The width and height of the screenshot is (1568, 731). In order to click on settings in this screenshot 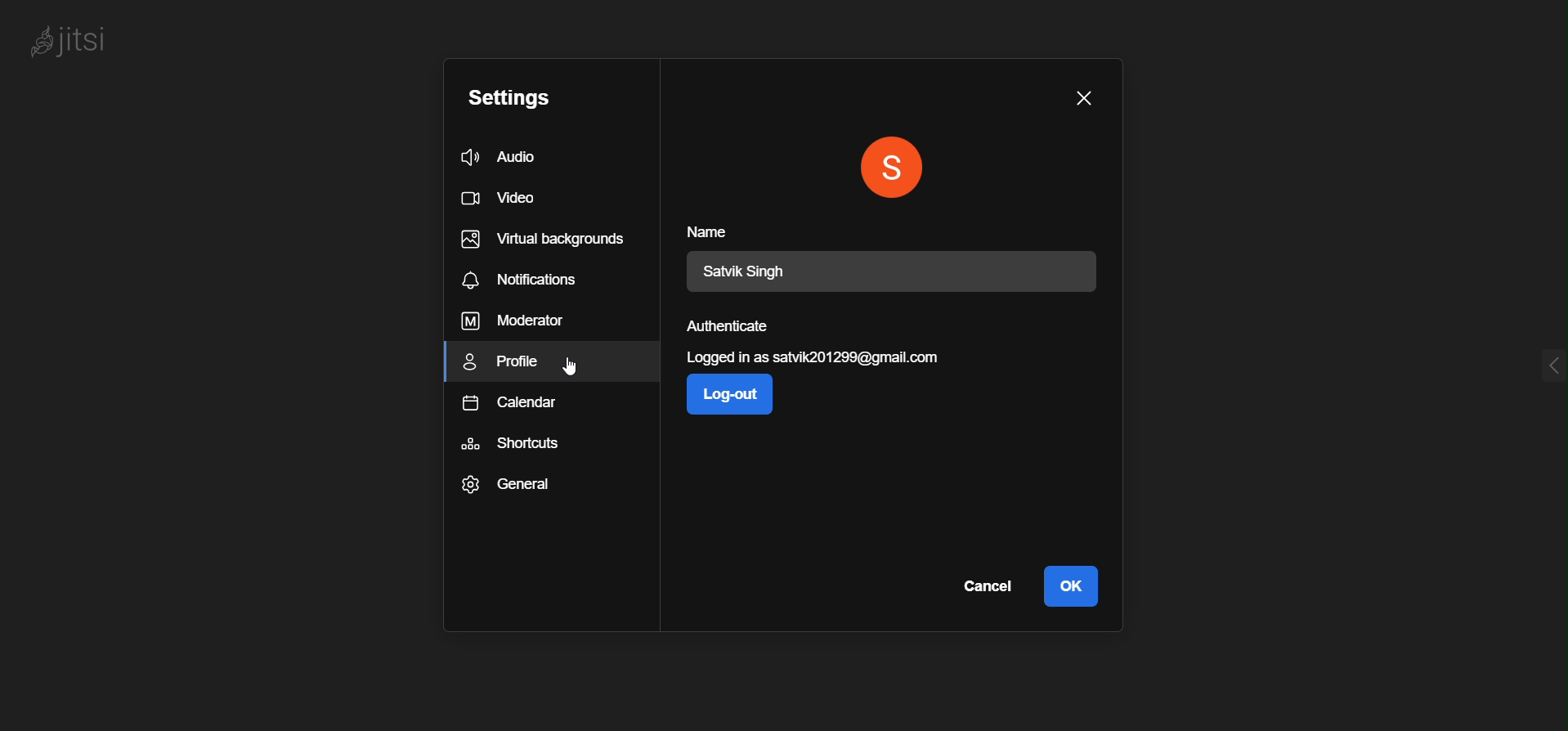, I will do `click(520, 98)`.